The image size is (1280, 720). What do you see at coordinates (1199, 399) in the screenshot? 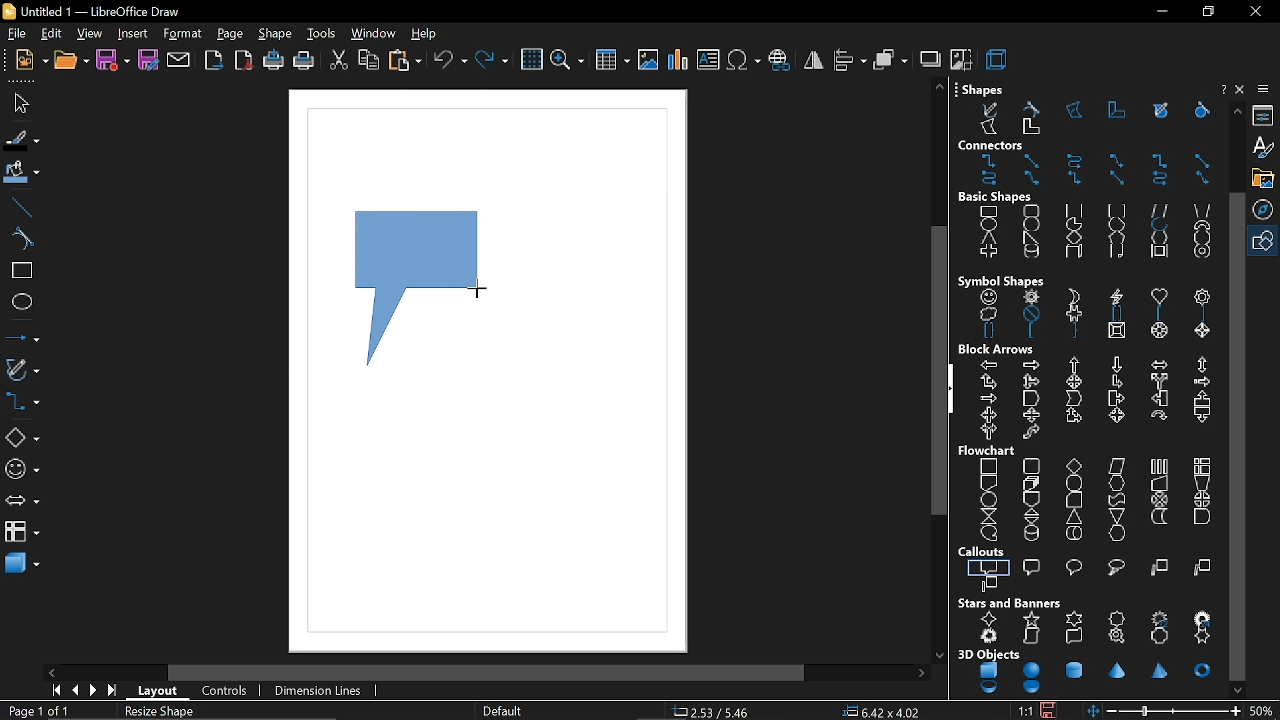
I see `up arrow callout` at bounding box center [1199, 399].